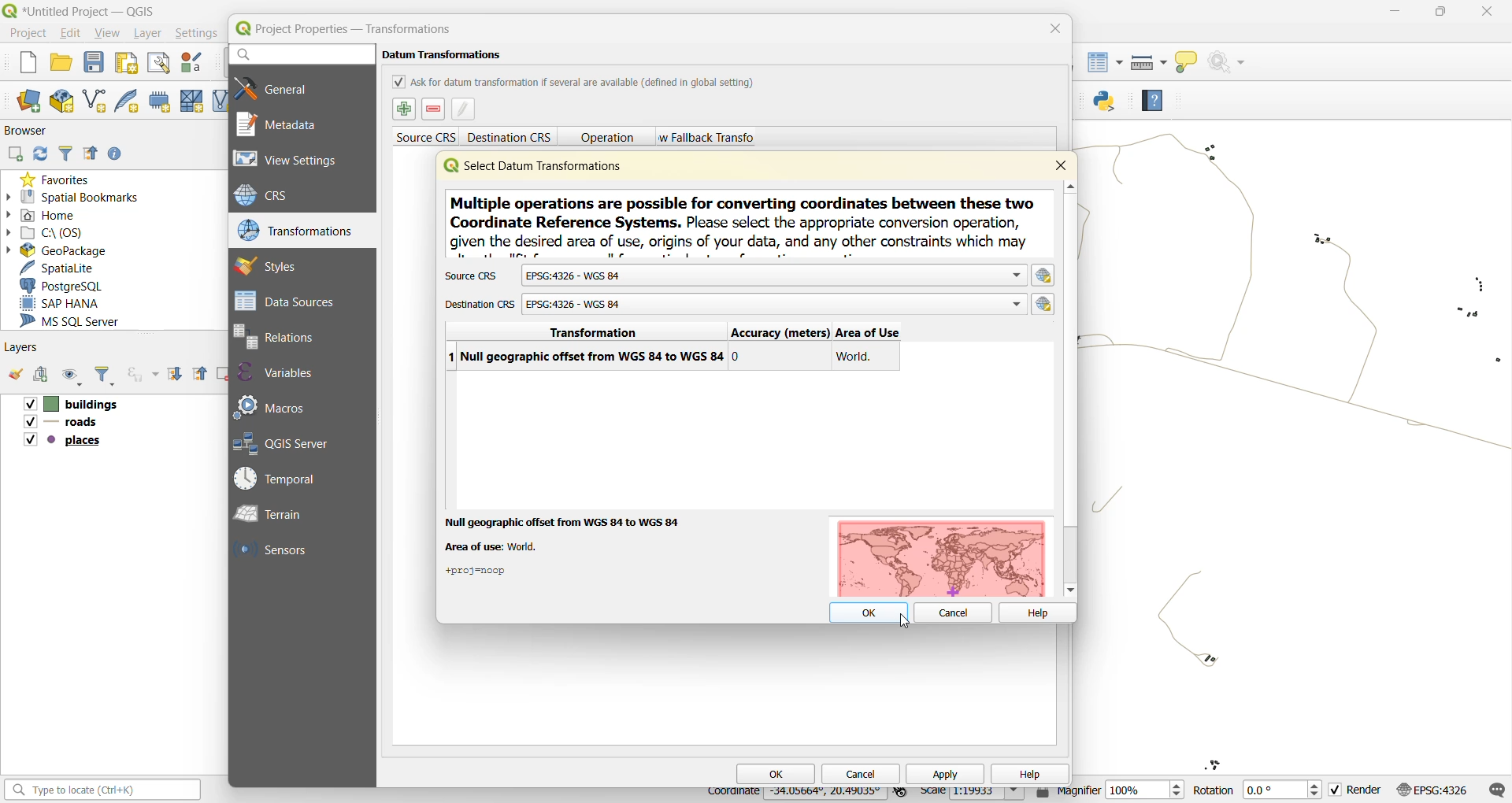  I want to click on view, so click(109, 34).